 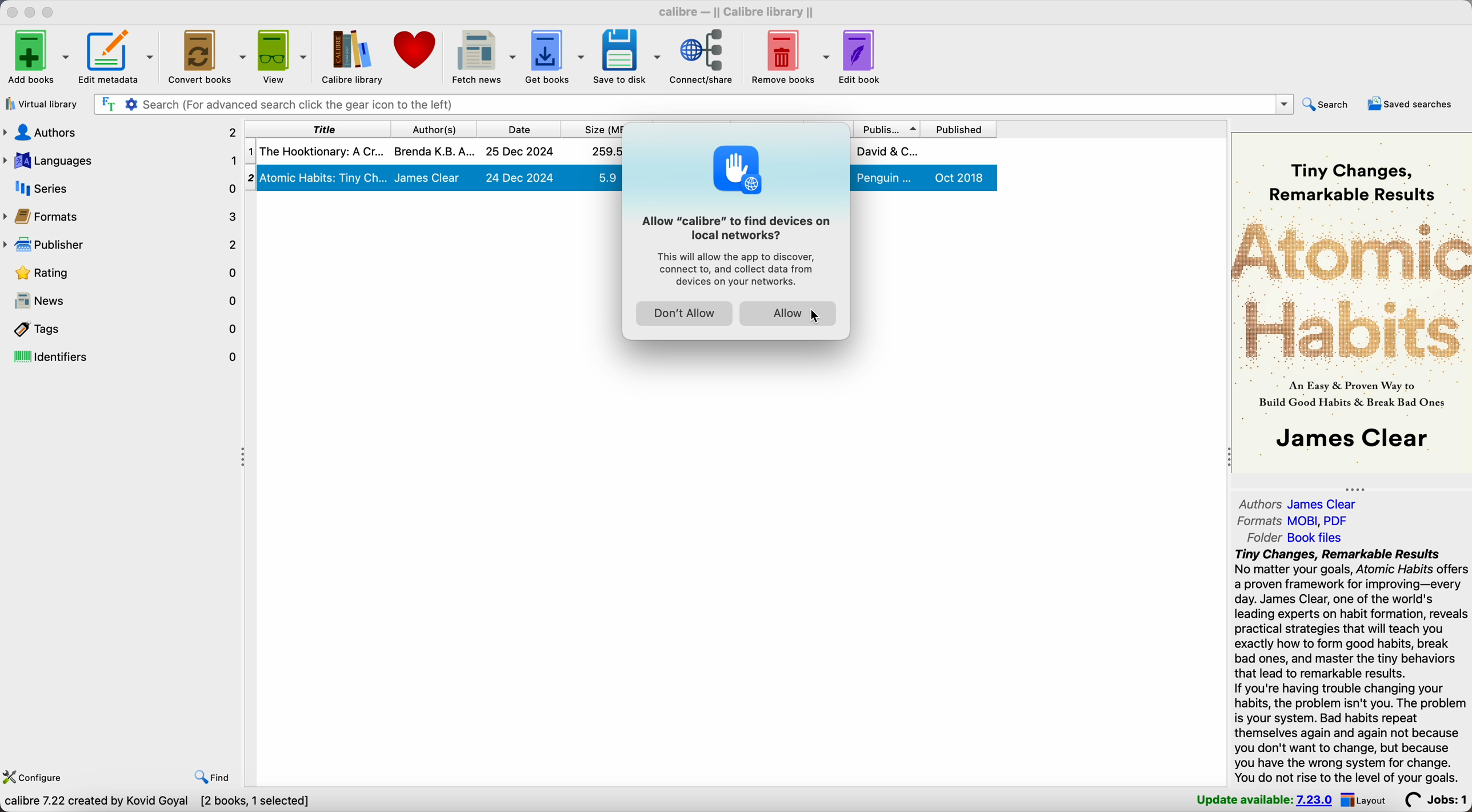 I want to click on edit book, so click(x=861, y=58).